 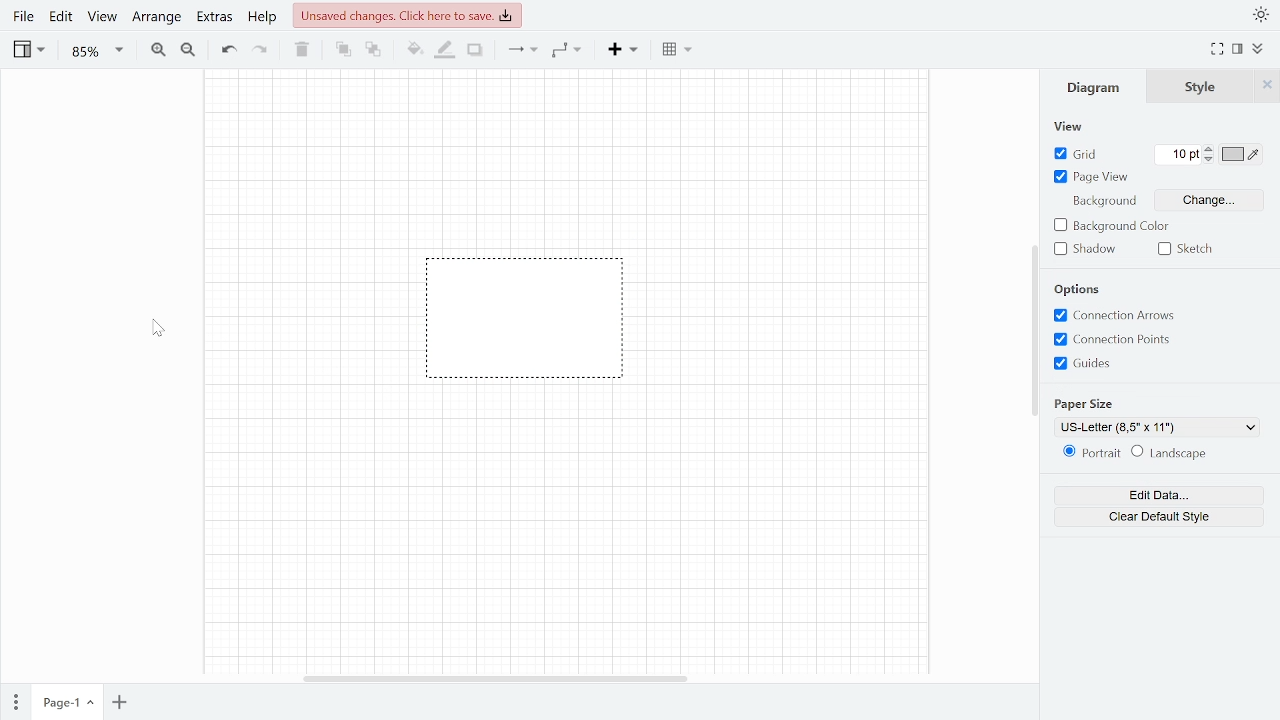 What do you see at coordinates (226, 50) in the screenshot?
I see `Undo` at bounding box center [226, 50].